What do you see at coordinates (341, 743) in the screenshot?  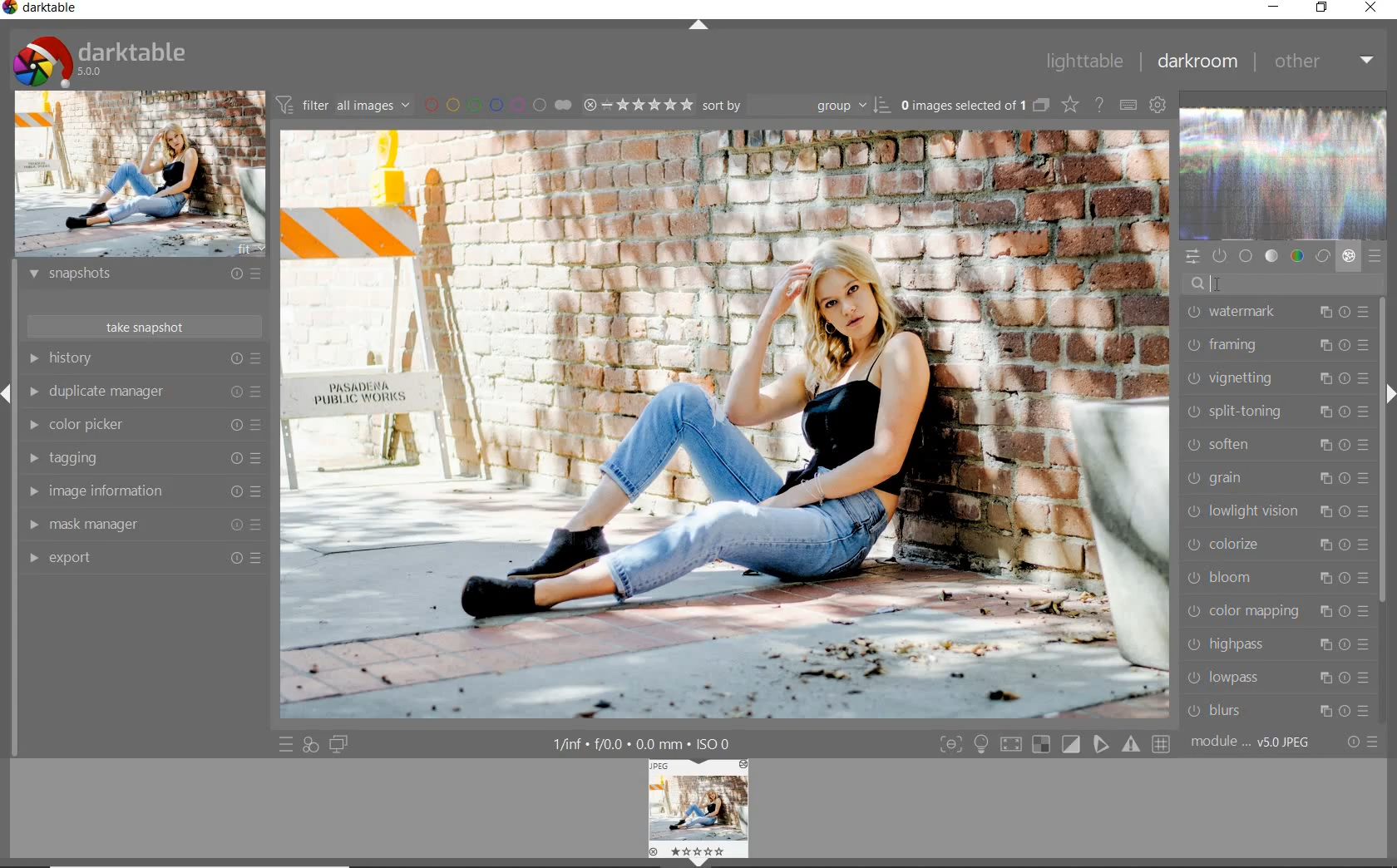 I see `display a second darkroom image below` at bounding box center [341, 743].